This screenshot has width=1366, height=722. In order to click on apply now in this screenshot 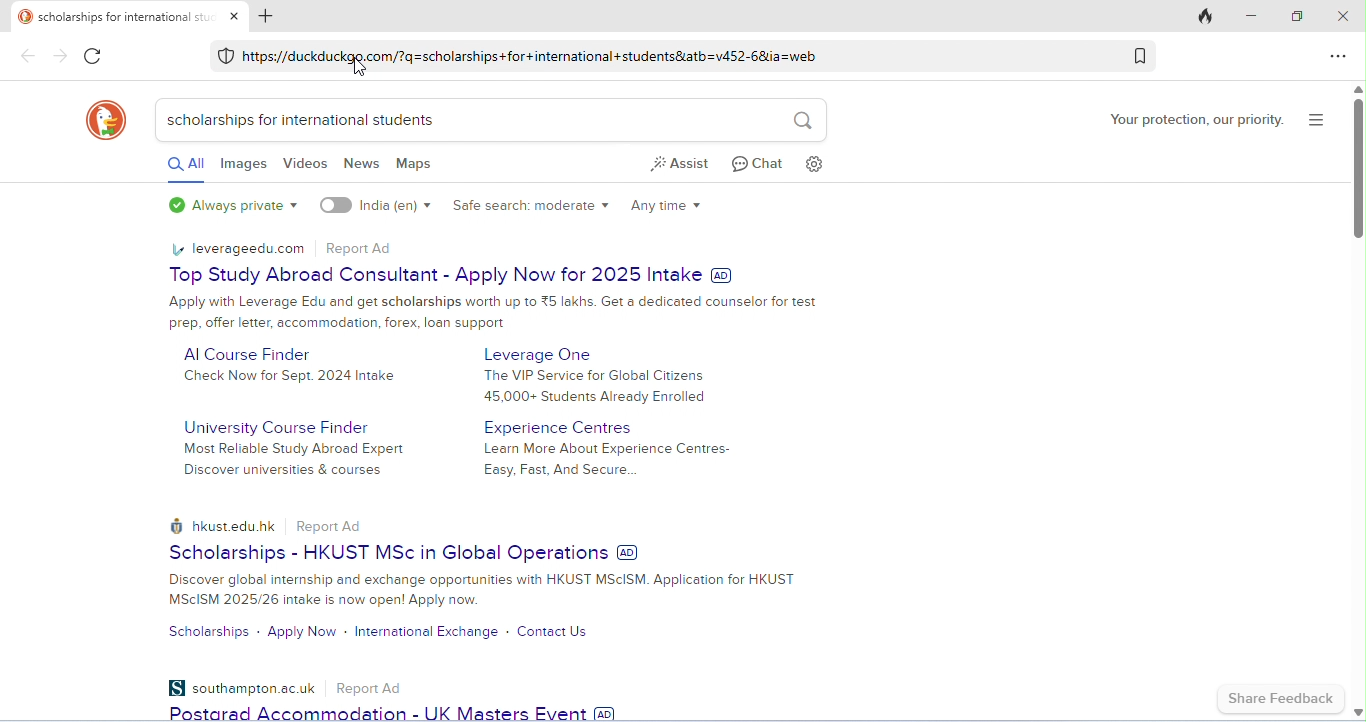, I will do `click(295, 630)`.